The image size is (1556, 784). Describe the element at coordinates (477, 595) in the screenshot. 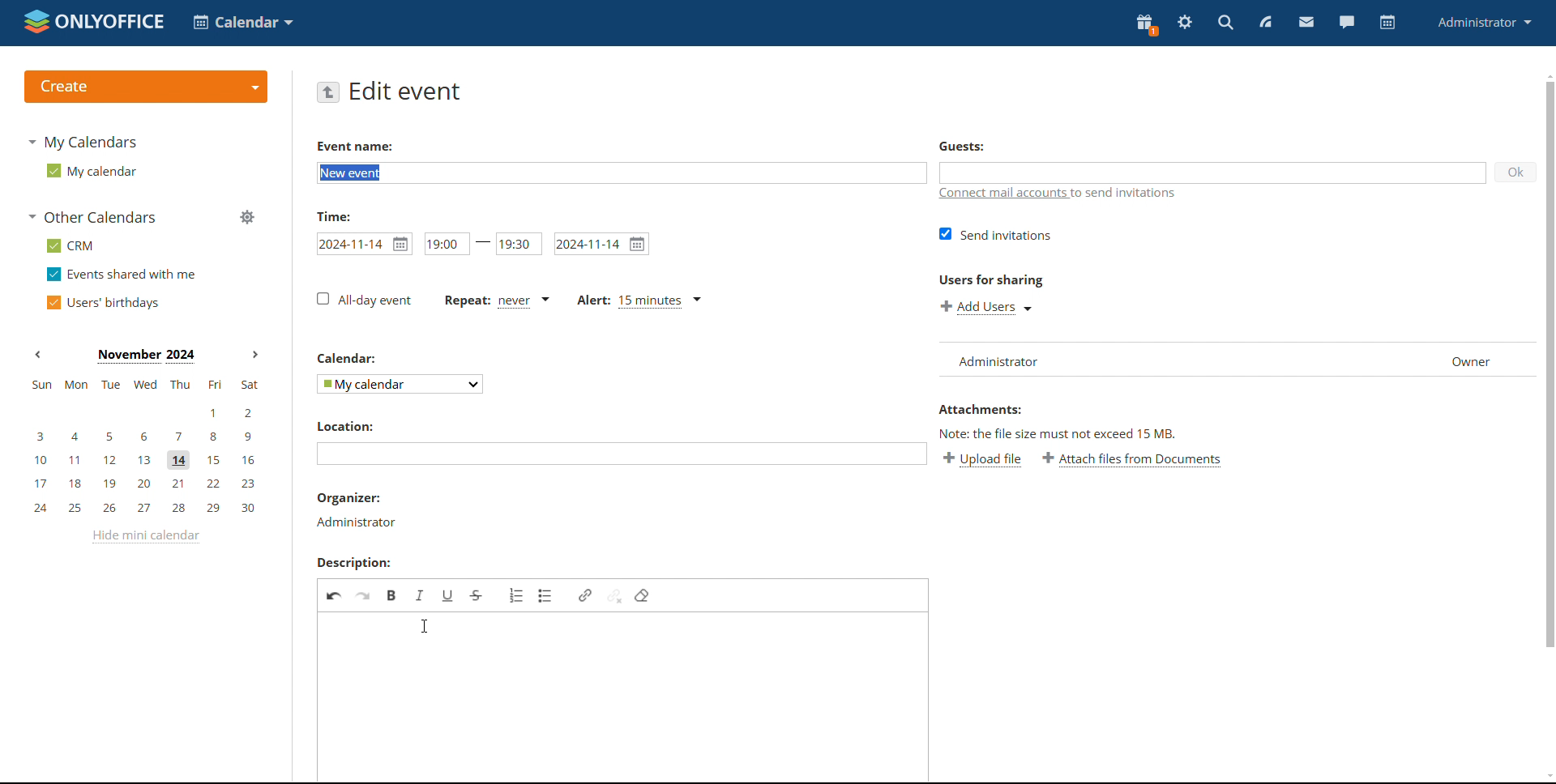

I see `strikethrough` at that location.